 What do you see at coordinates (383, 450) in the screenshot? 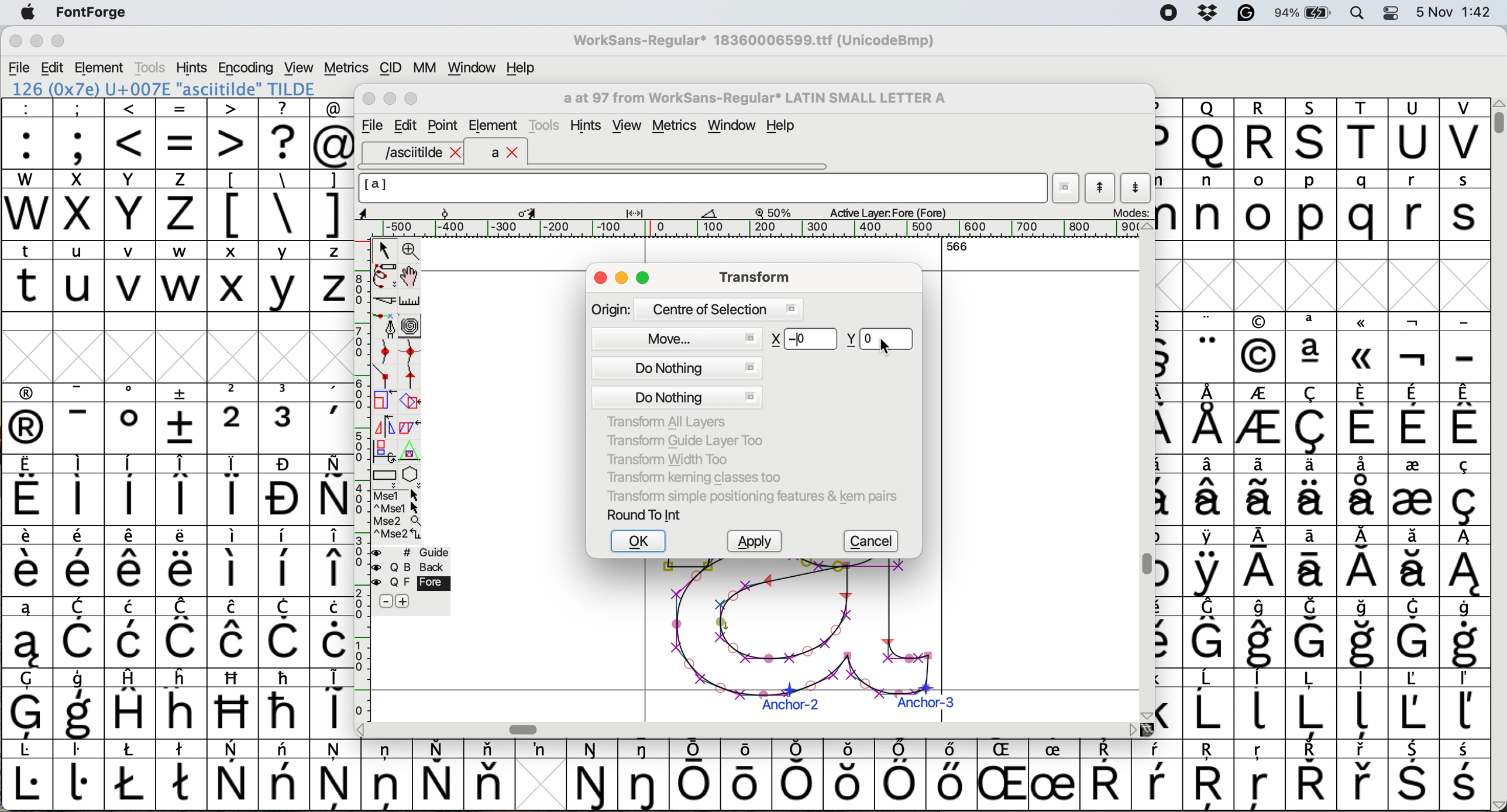
I see `rotat object in 3d and project back to plane` at bounding box center [383, 450].